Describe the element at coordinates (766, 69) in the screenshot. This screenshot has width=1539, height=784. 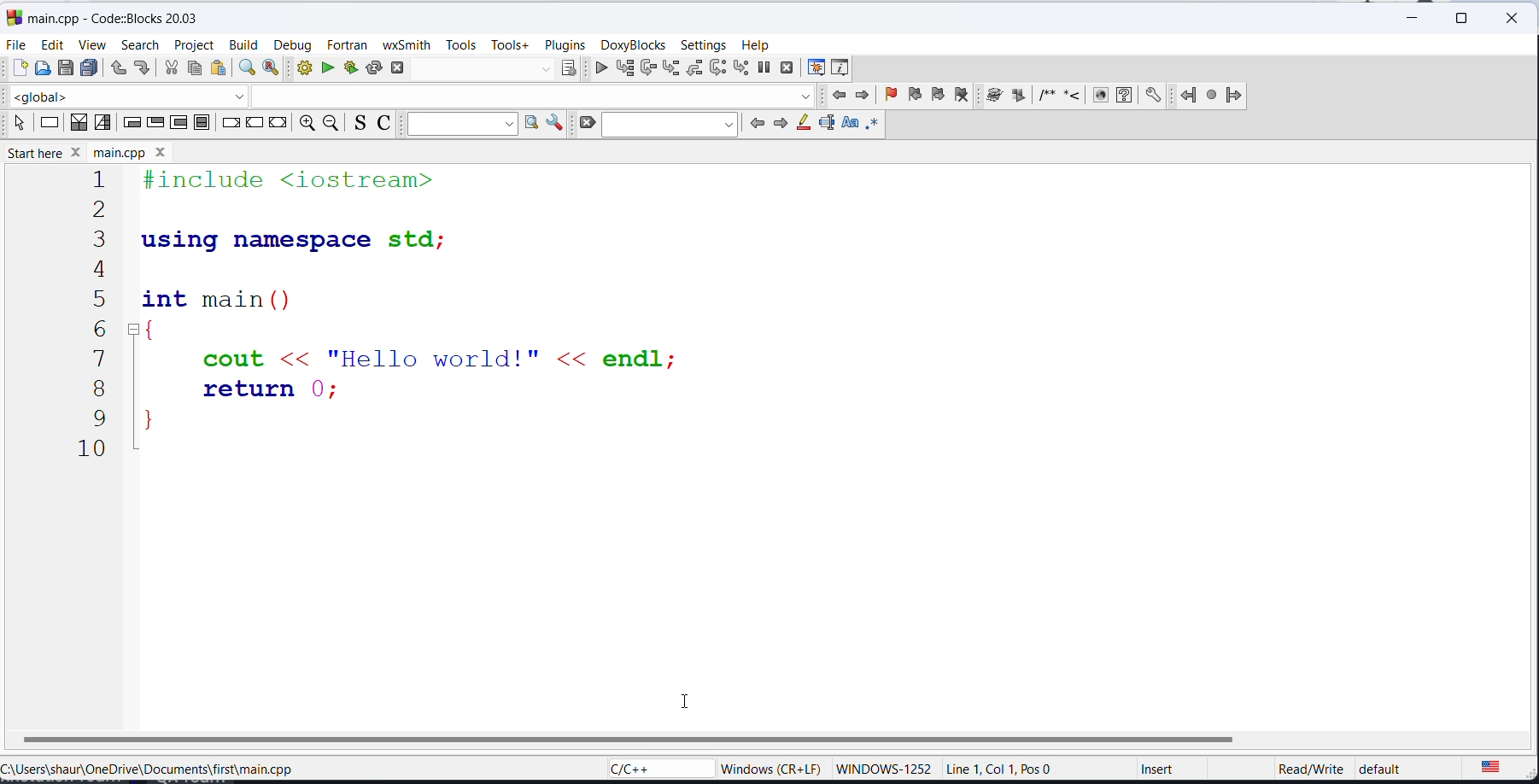
I see `BREAK DEBUGGER` at that location.